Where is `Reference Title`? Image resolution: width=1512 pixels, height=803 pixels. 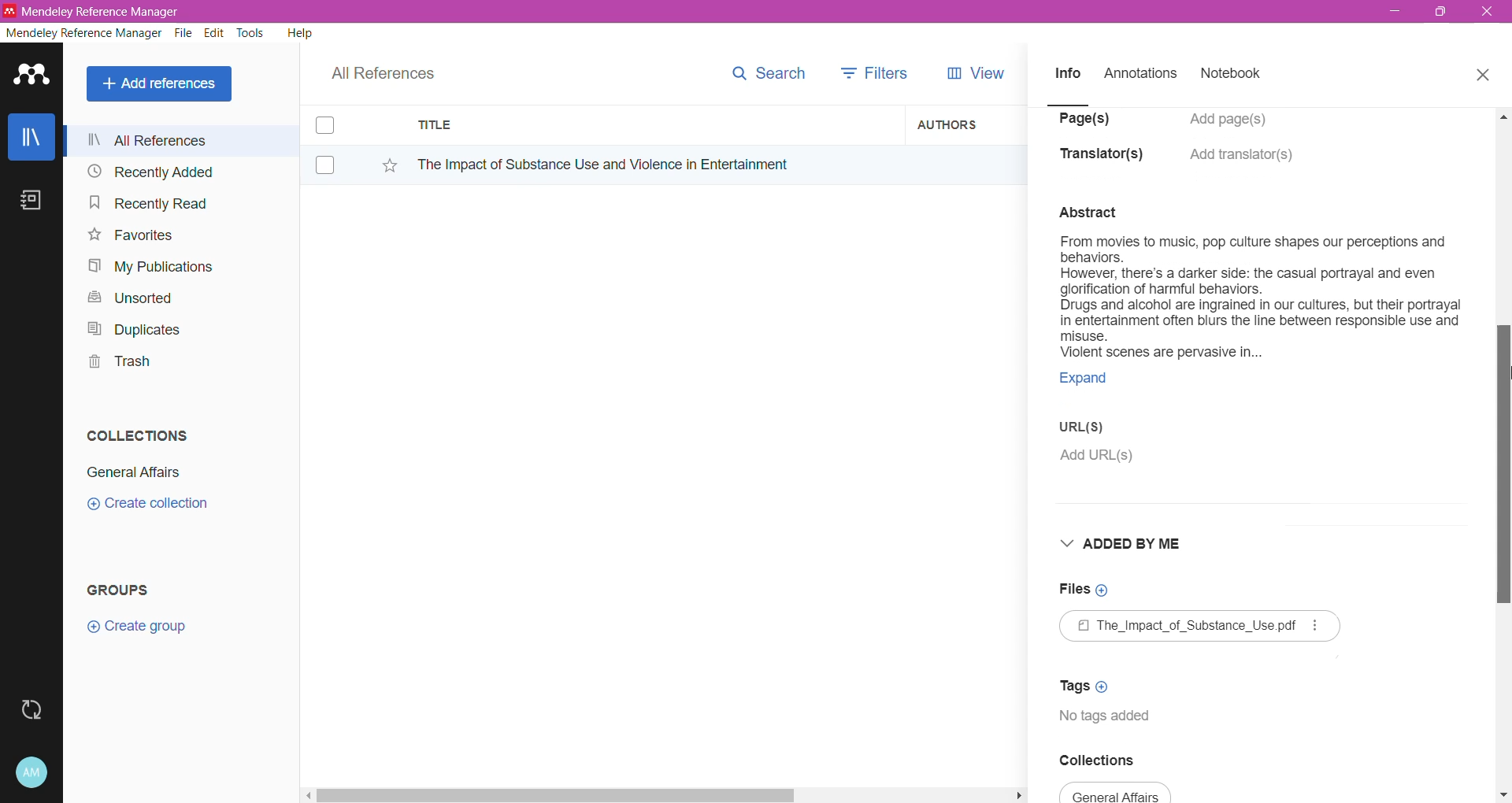
Reference Title is located at coordinates (653, 164).